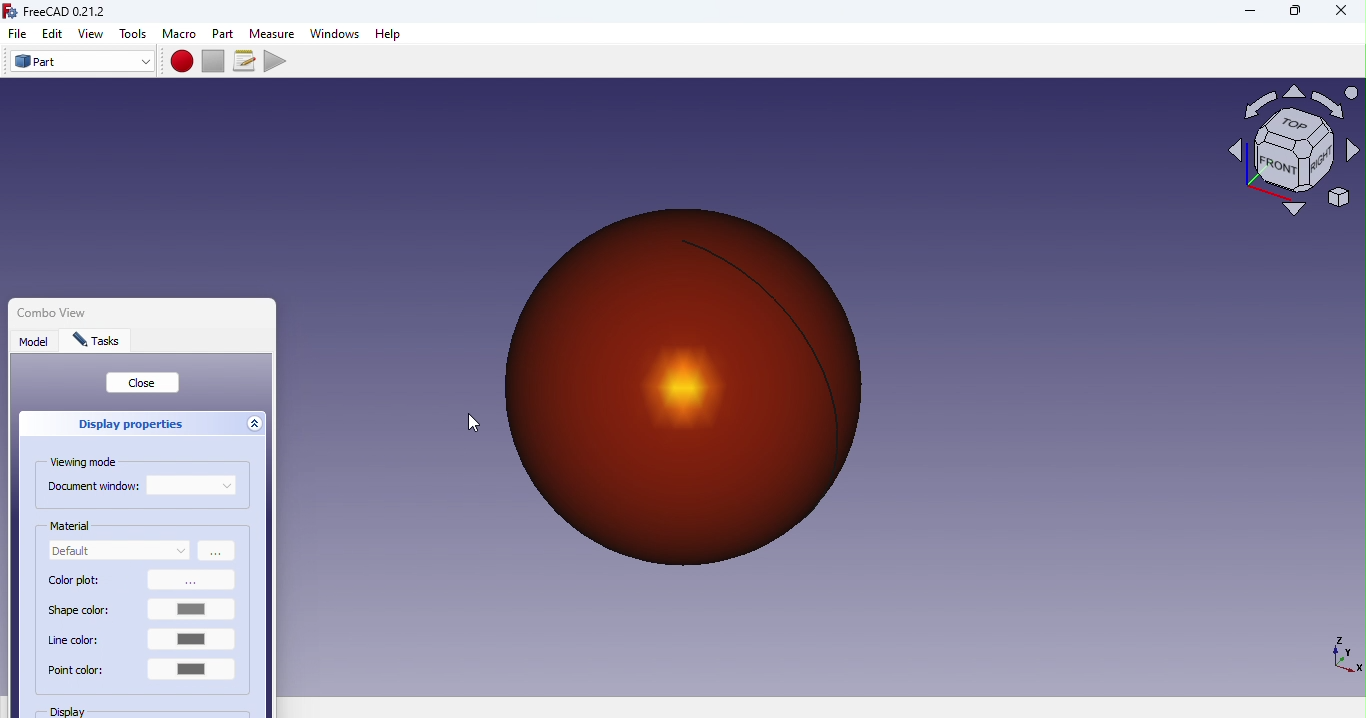 The height and width of the screenshot is (718, 1366). I want to click on Display properties, so click(125, 424).